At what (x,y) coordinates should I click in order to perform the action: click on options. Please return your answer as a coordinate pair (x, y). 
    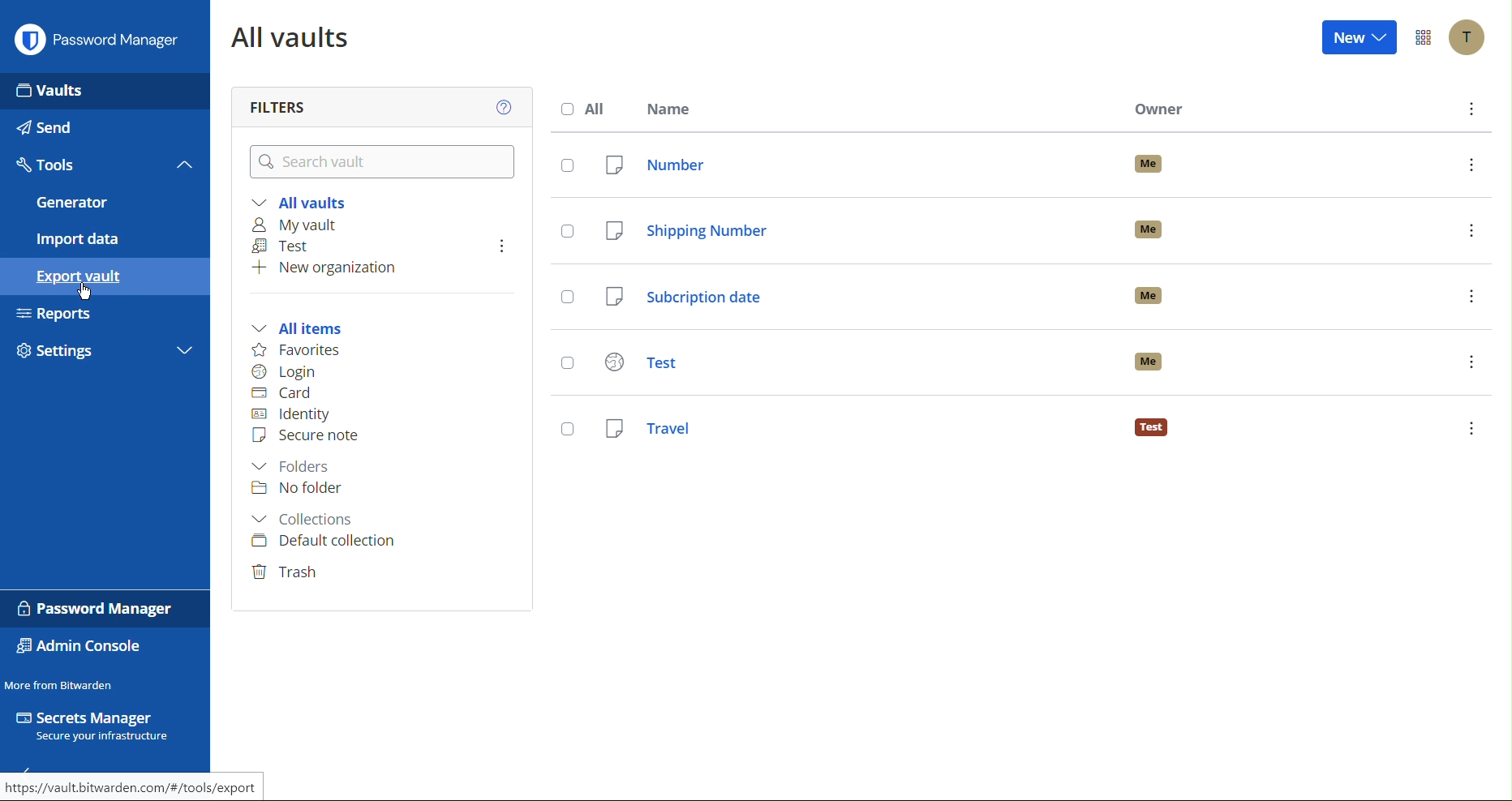
    Looking at the image, I should click on (1471, 165).